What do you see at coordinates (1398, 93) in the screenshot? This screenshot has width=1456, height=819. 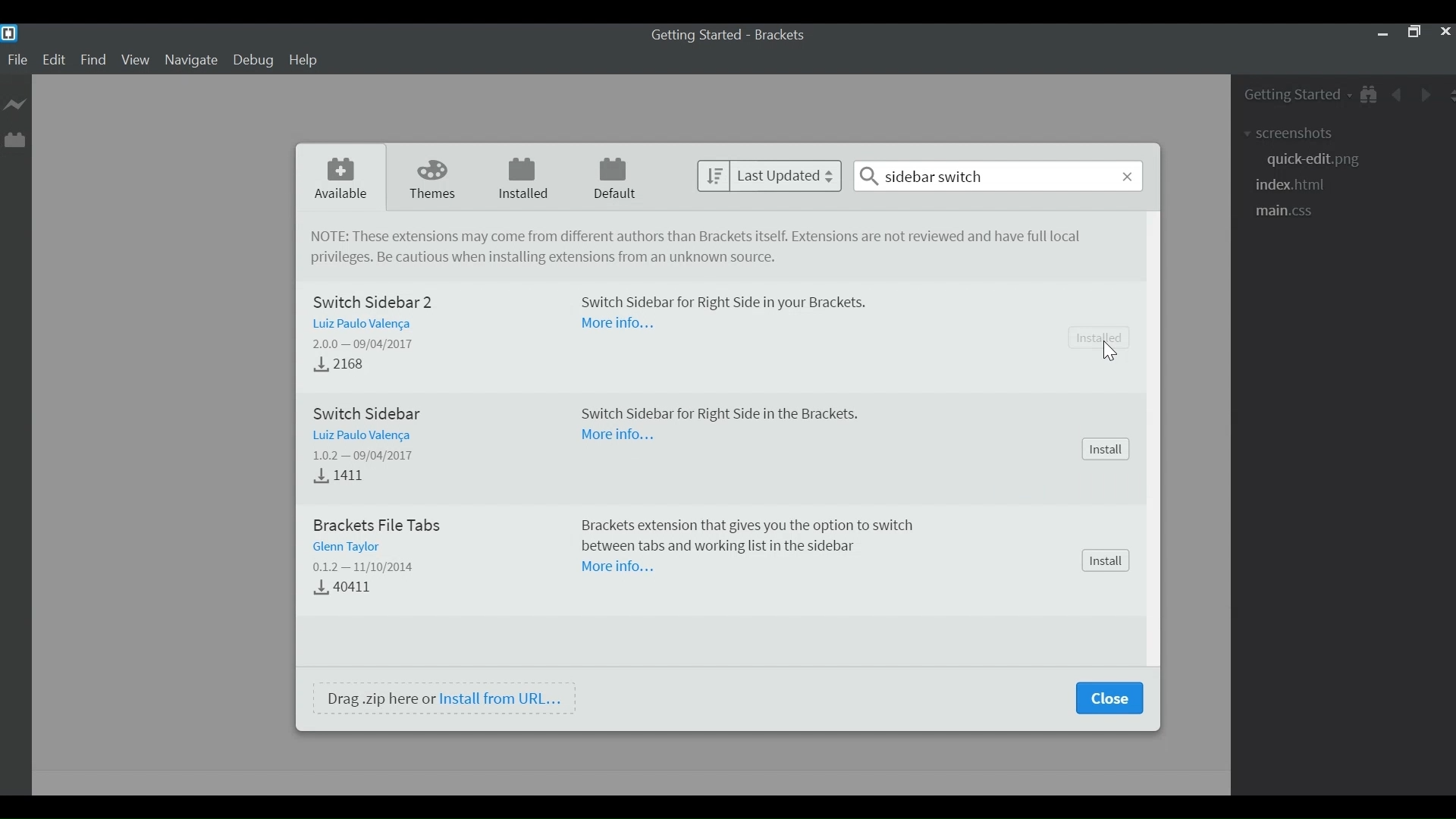 I see `Navigate Back` at bounding box center [1398, 93].